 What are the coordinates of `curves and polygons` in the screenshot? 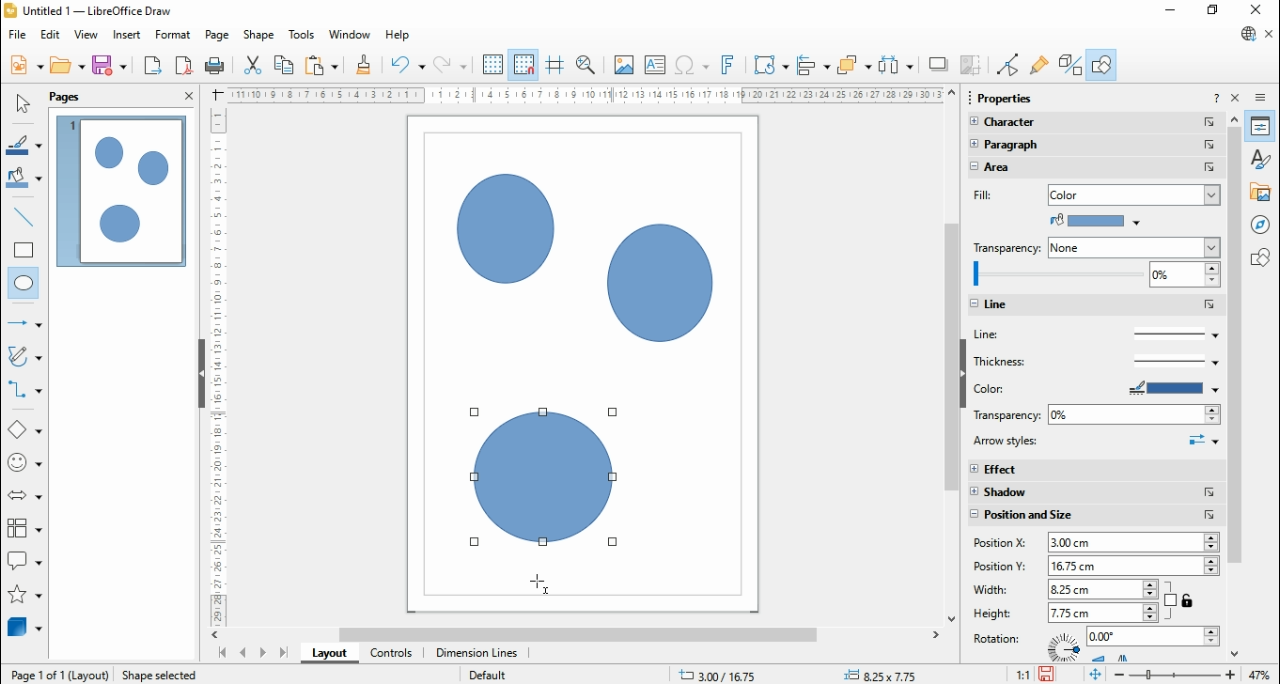 It's located at (26, 357).